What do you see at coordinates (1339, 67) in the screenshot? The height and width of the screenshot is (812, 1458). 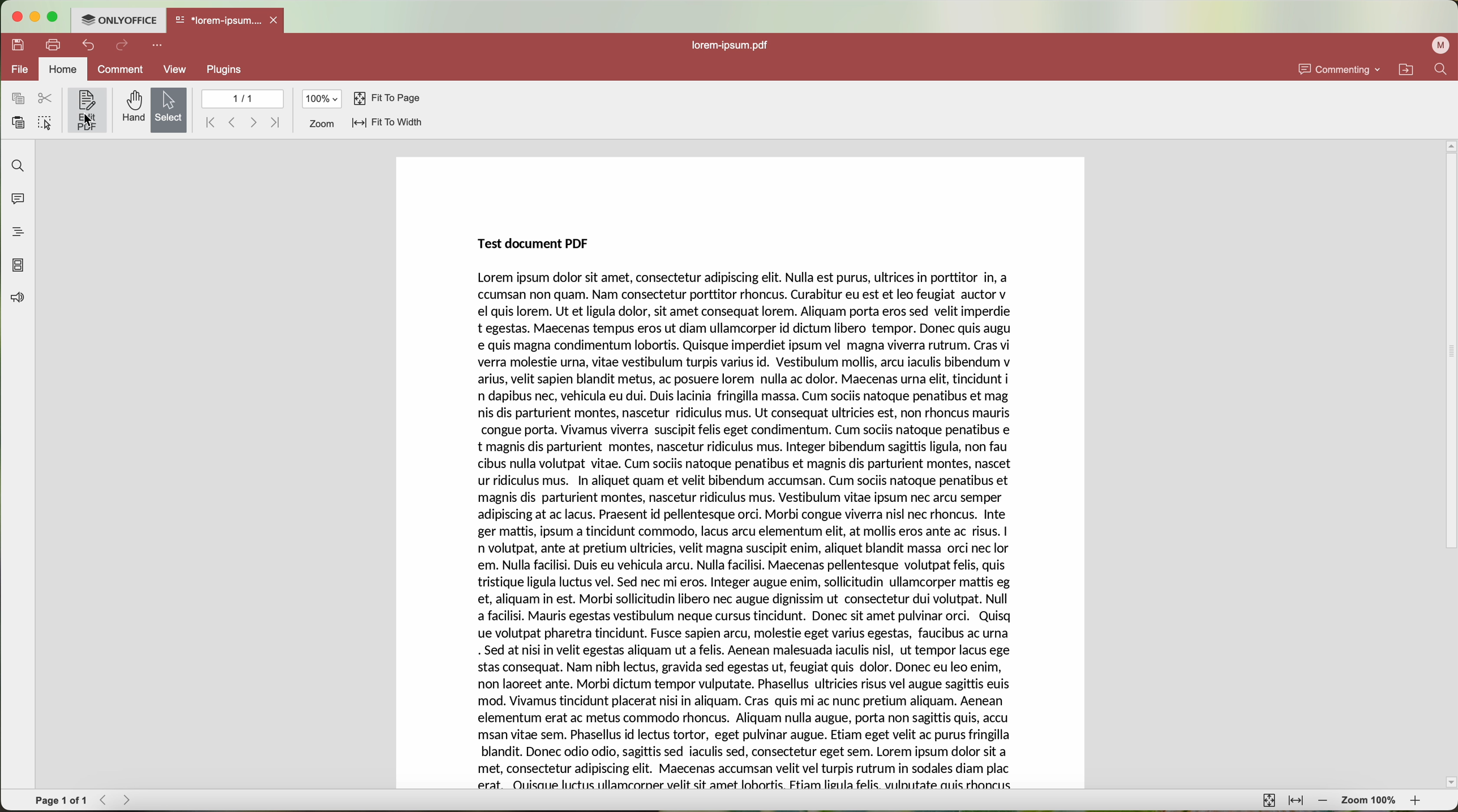 I see `commenting` at bounding box center [1339, 67].